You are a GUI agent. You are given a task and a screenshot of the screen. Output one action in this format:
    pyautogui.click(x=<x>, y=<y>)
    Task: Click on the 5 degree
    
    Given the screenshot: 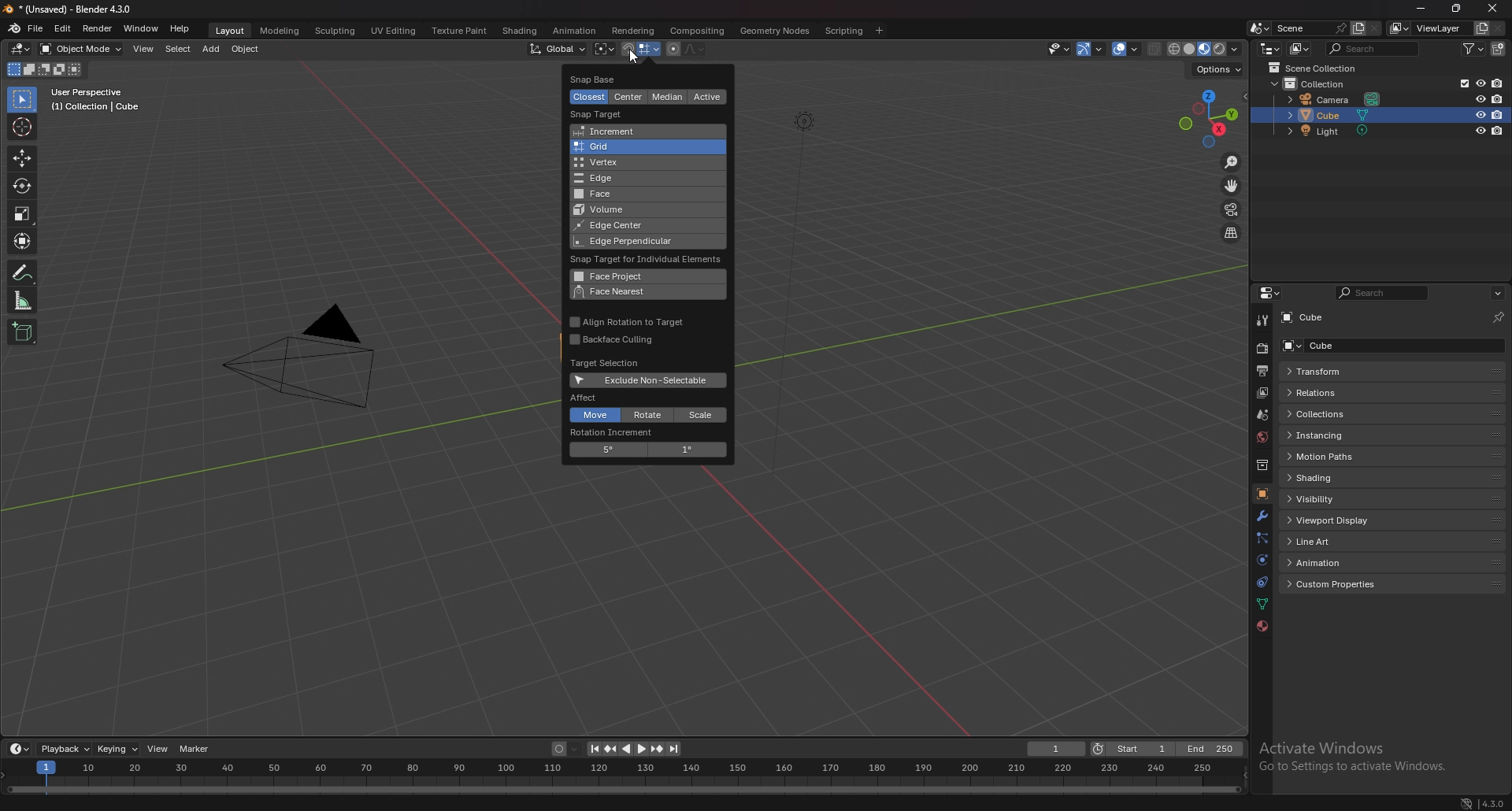 What is the action you would take?
    pyautogui.click(x=613, y=450)
    